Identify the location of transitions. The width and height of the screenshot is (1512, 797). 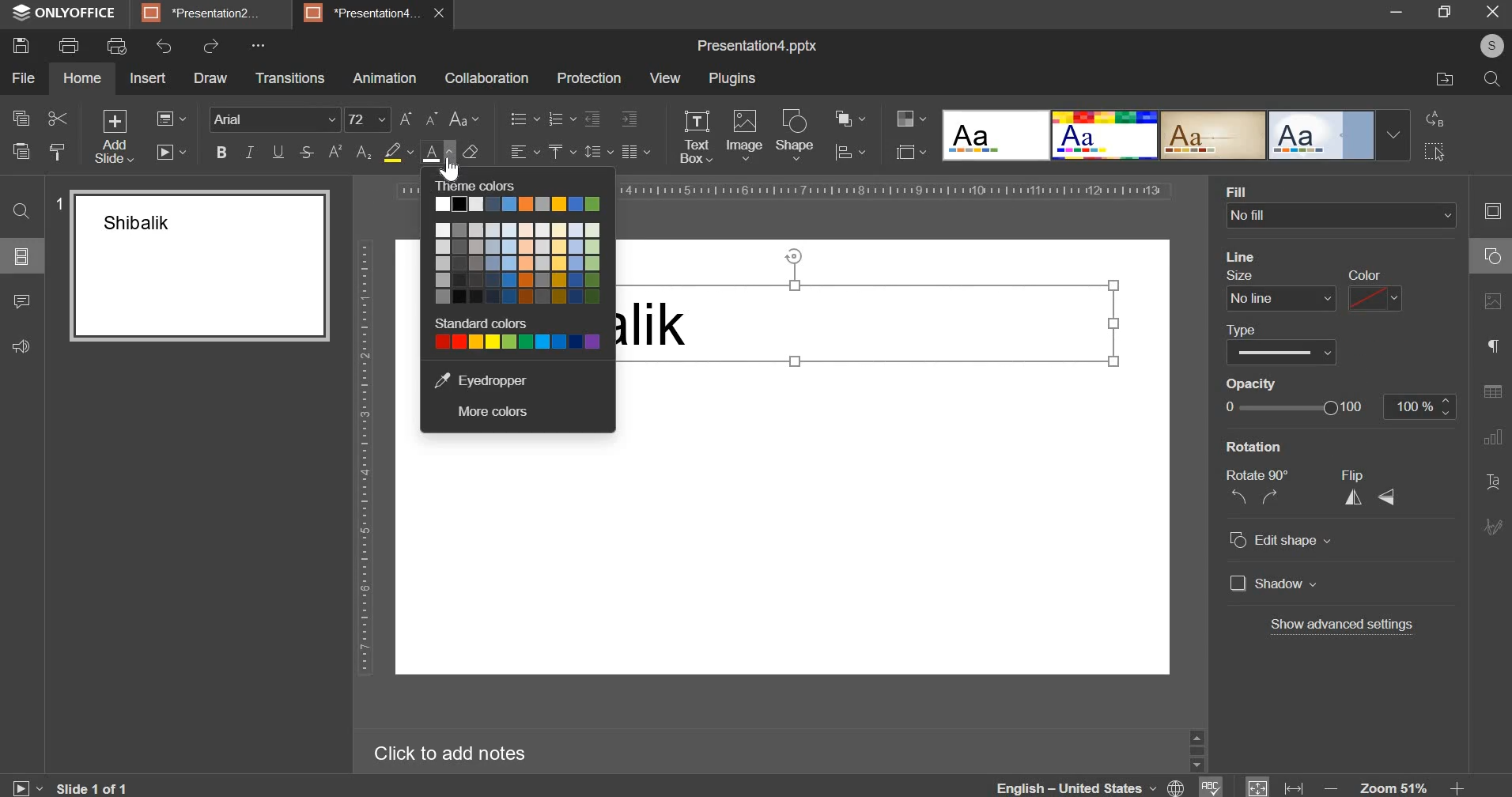
(289, 78).